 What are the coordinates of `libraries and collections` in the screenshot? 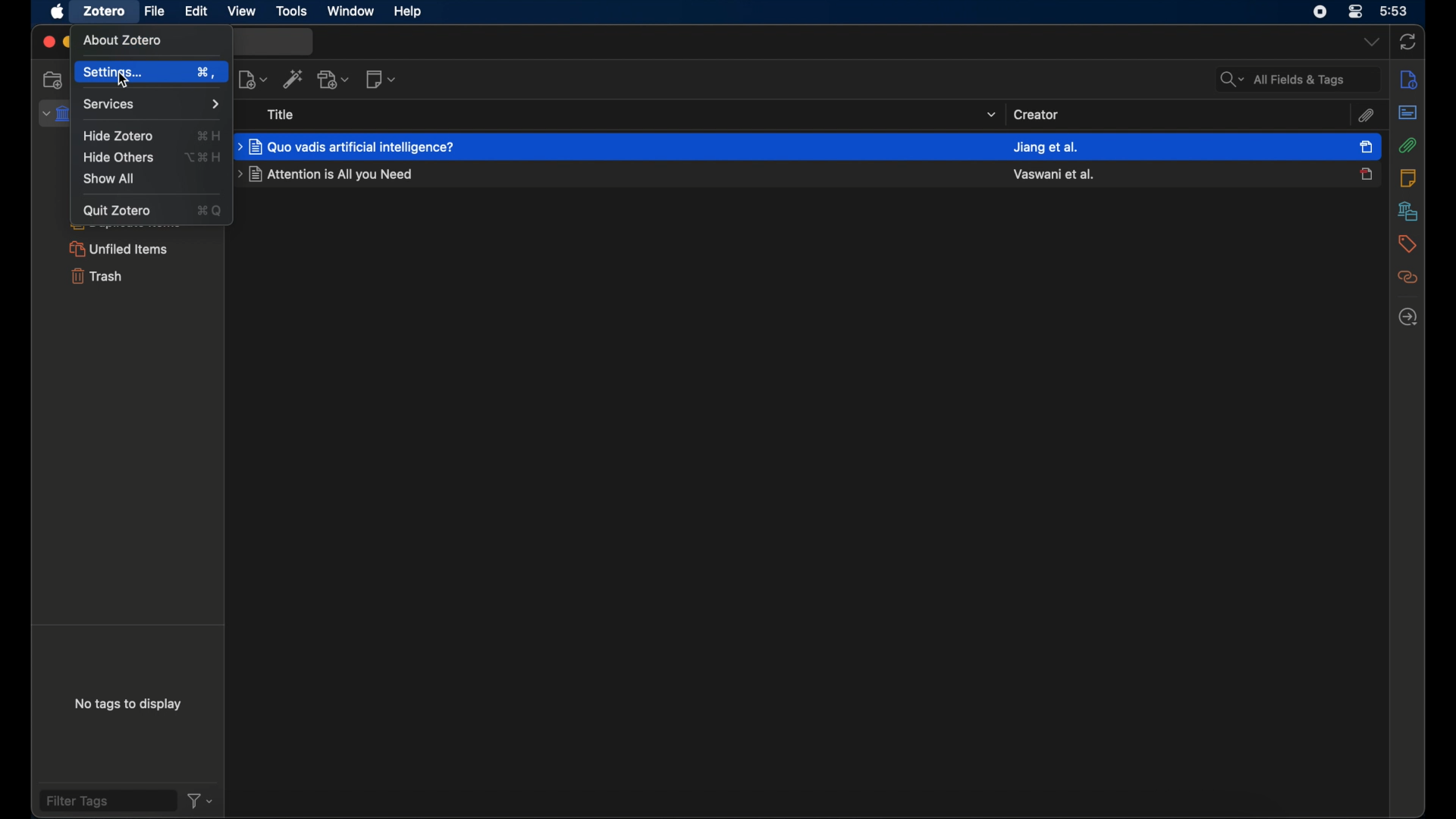 It's located at (1410, 211).